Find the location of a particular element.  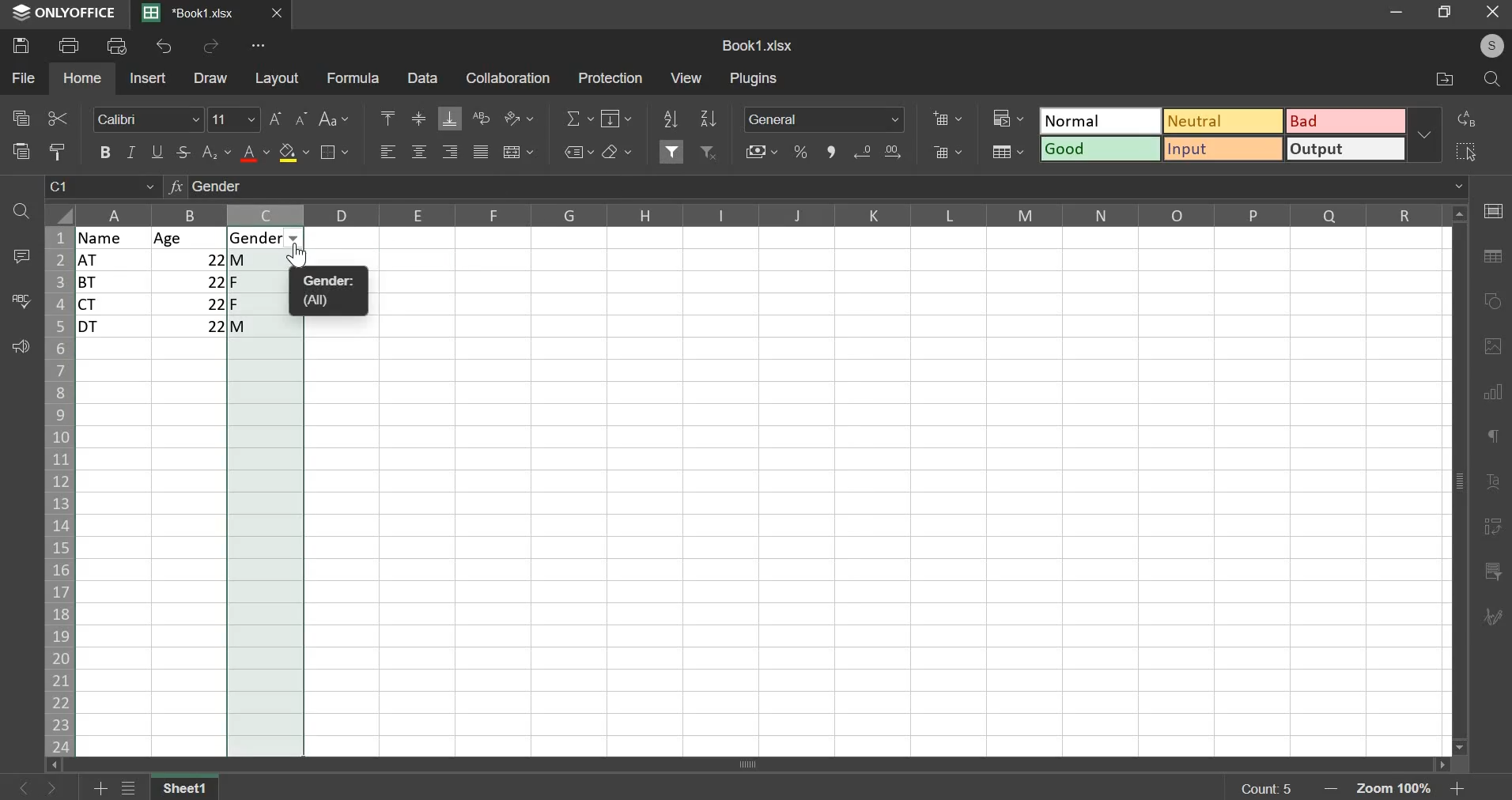

change case is located at coordinates (337, 119).